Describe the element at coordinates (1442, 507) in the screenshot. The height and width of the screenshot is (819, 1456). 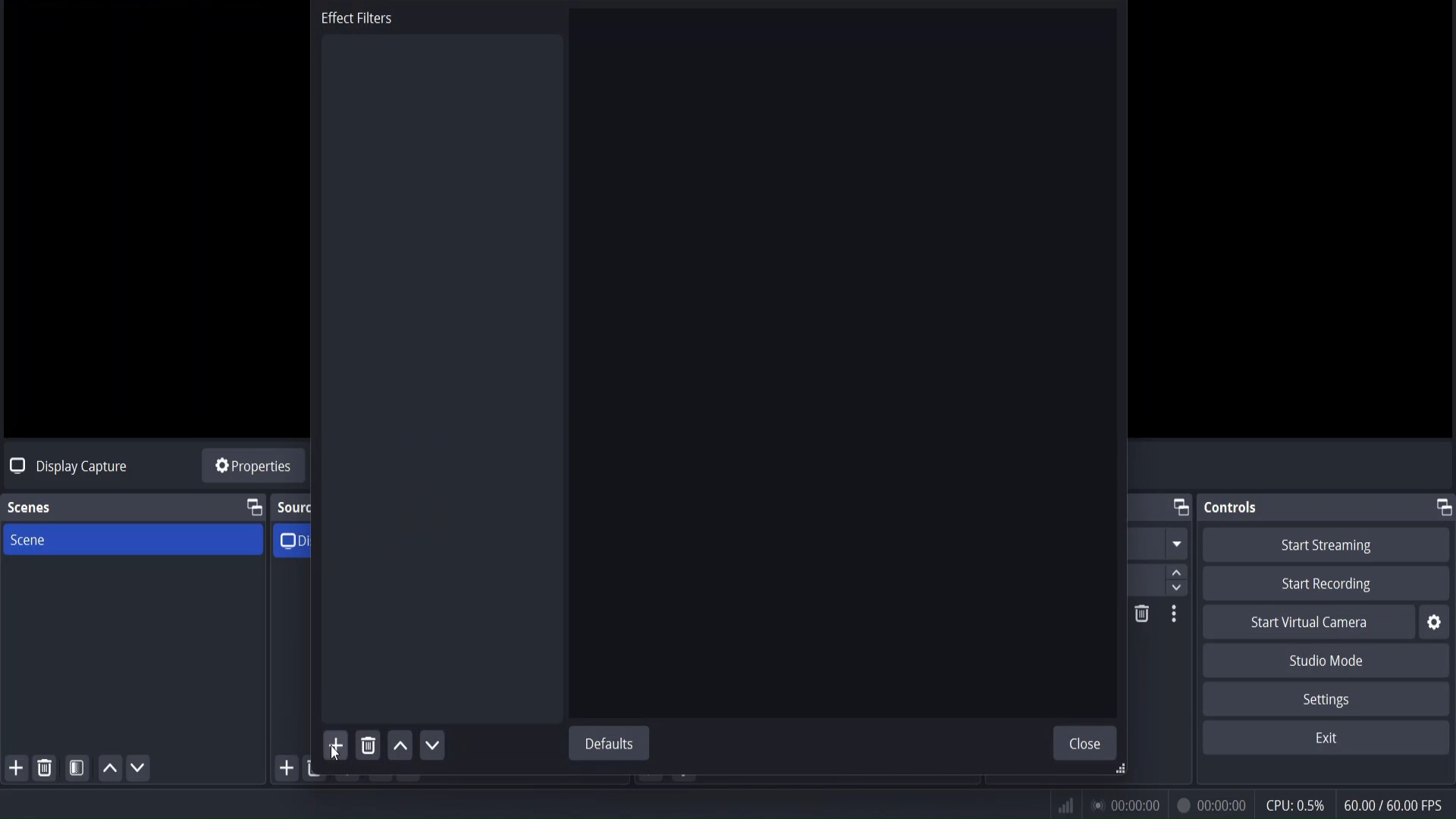
I see `change tab layout` at that location.